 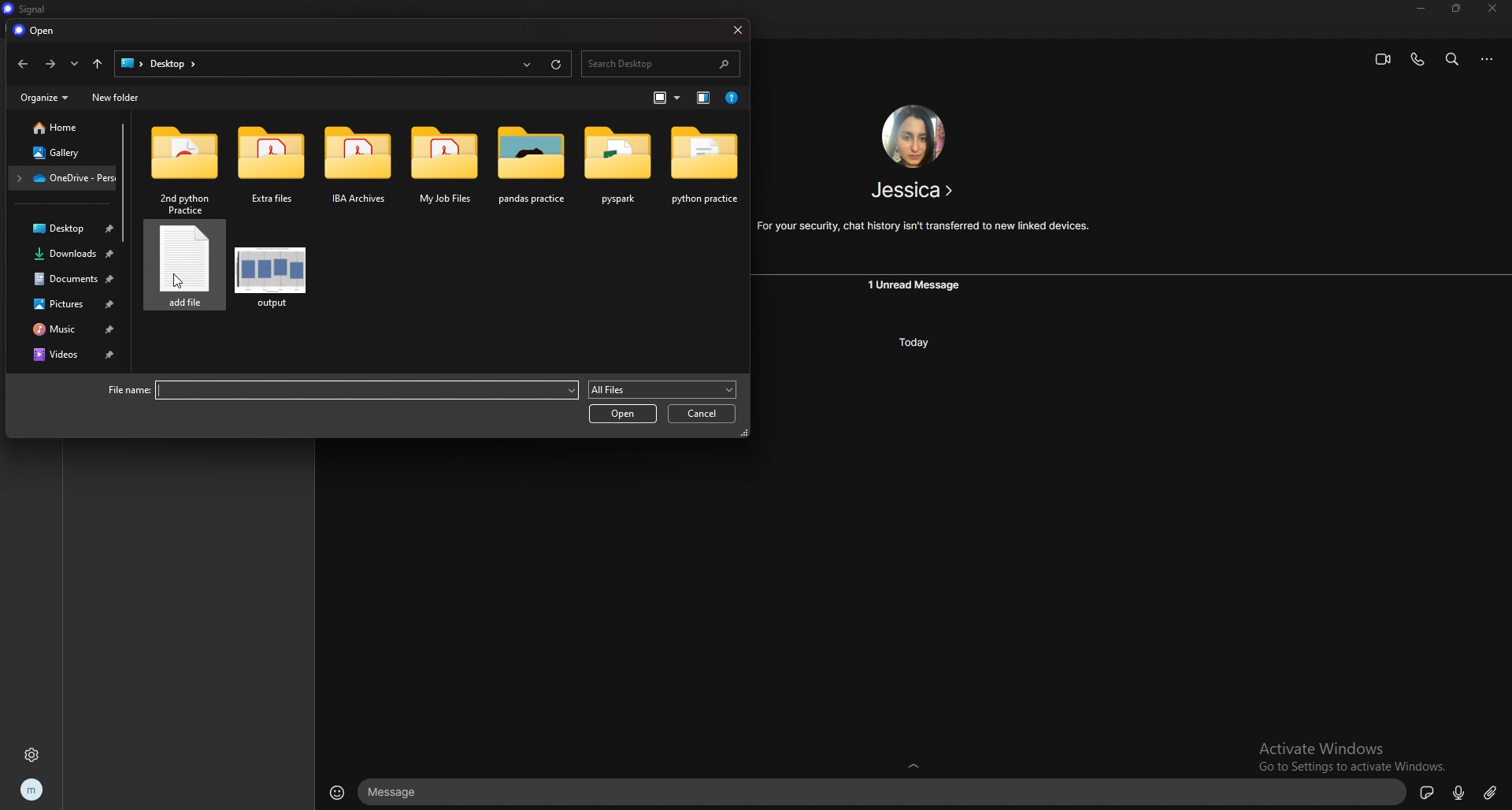 What do you see at coordinates (527, 65) in the screenshot?
I see `recent` at bounding box center [527, 65].